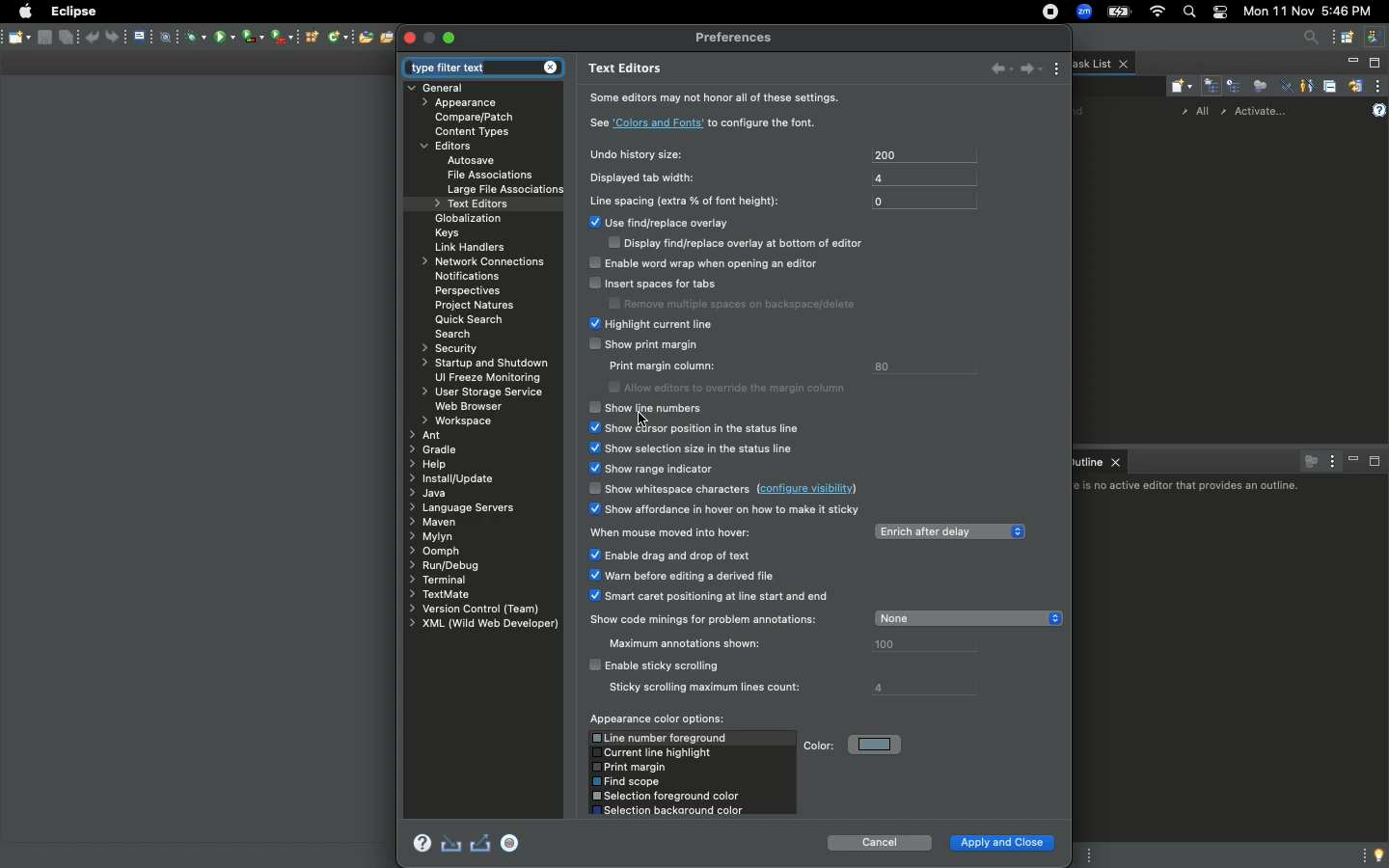 The width and height of the screenshot is (1389, 868). I want to click on File associations, so click(490, 175).